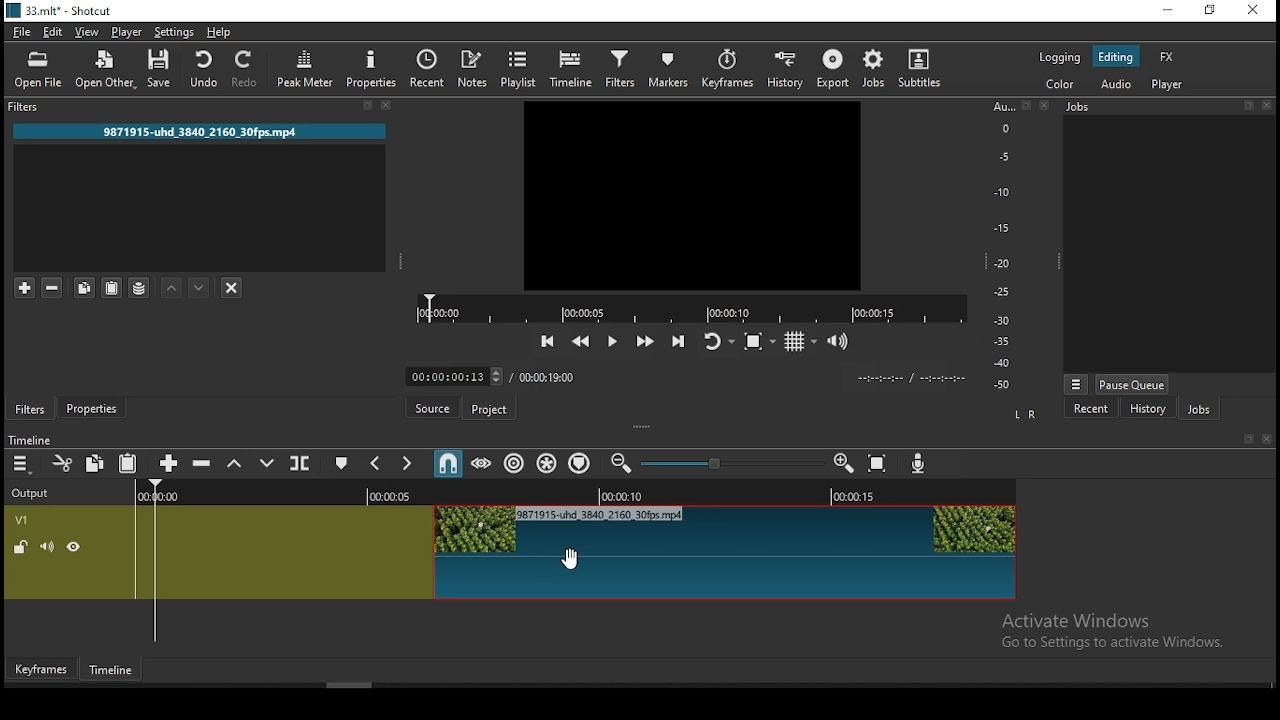  What do you see at coordinates (725, 544) in the screenshot?
I see `video clip` at bounding box center [725, 544].